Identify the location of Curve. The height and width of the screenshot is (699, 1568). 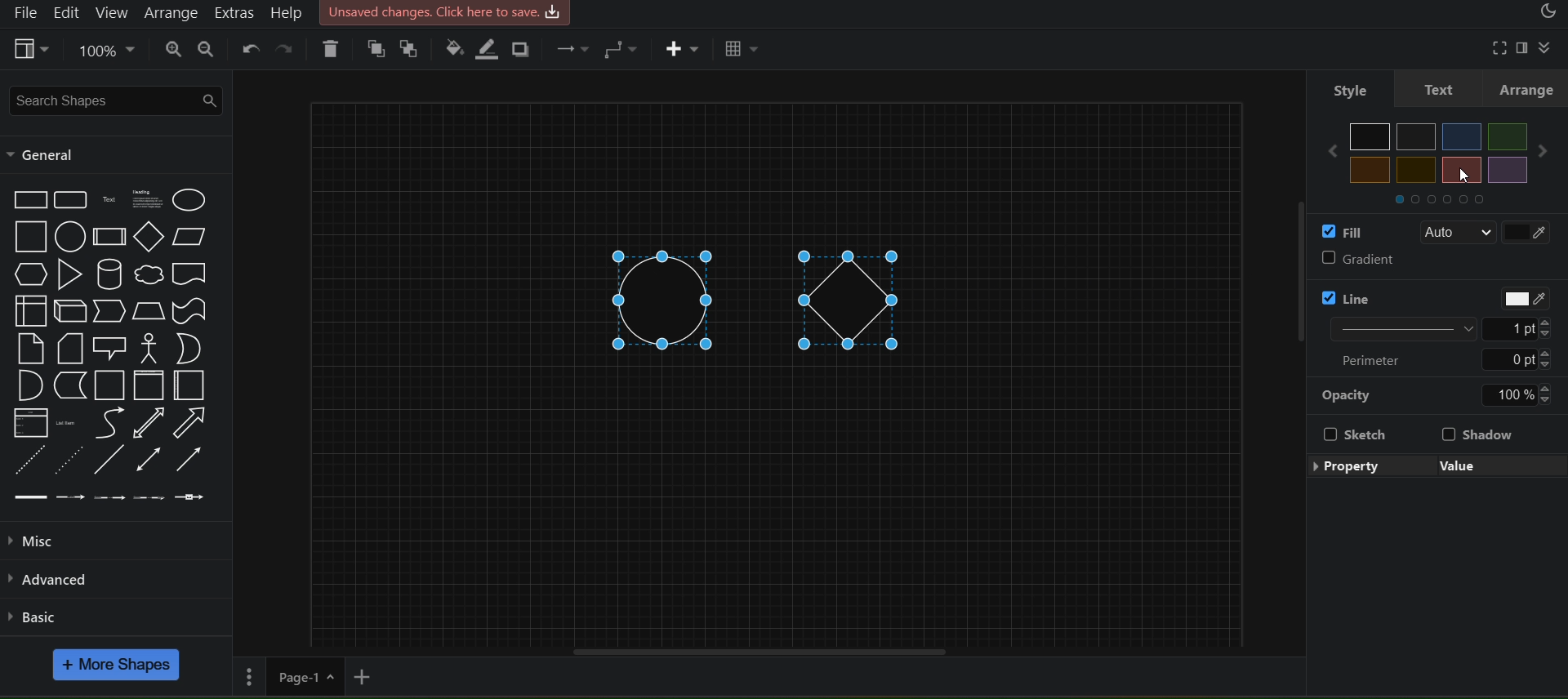
(109, 423).